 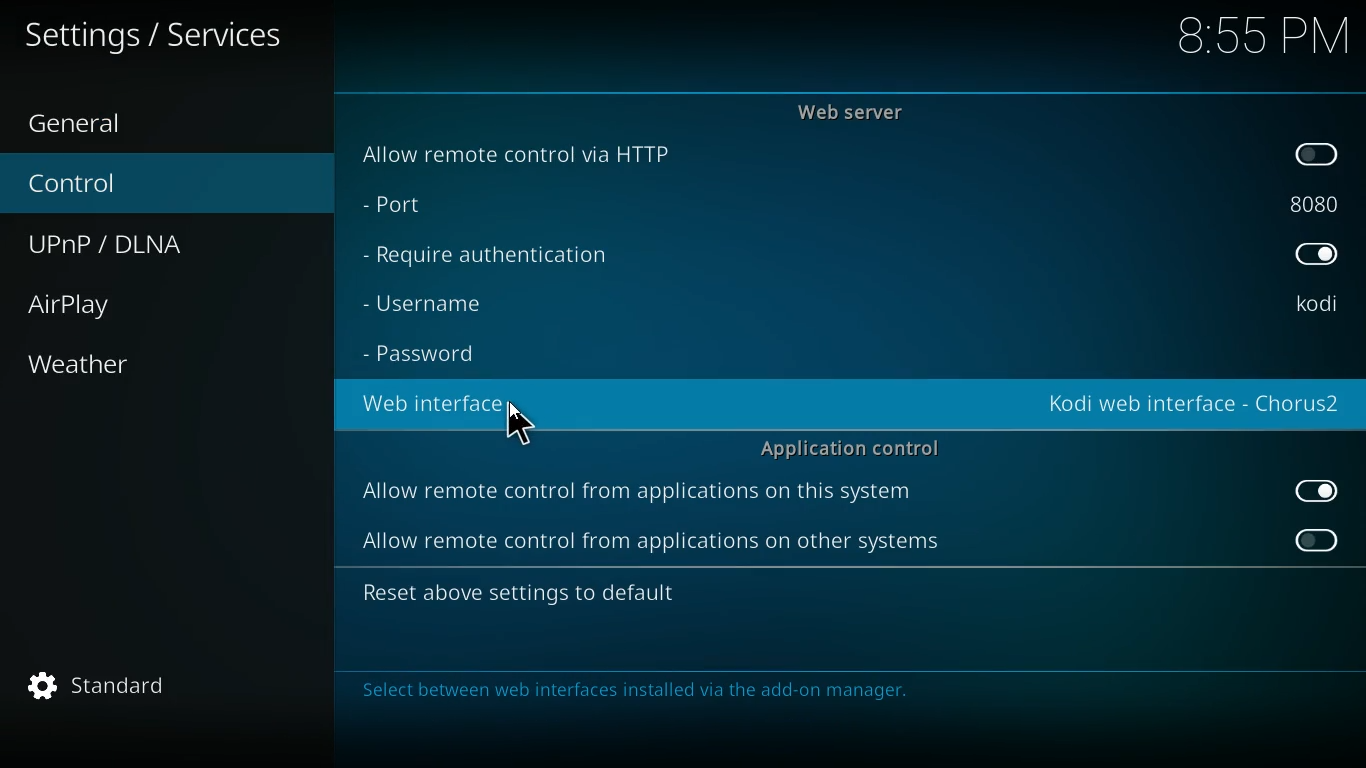 What do you see at coordinates (96, 185) in the screenshot?
I see `control` at bounding box center [96, 185].